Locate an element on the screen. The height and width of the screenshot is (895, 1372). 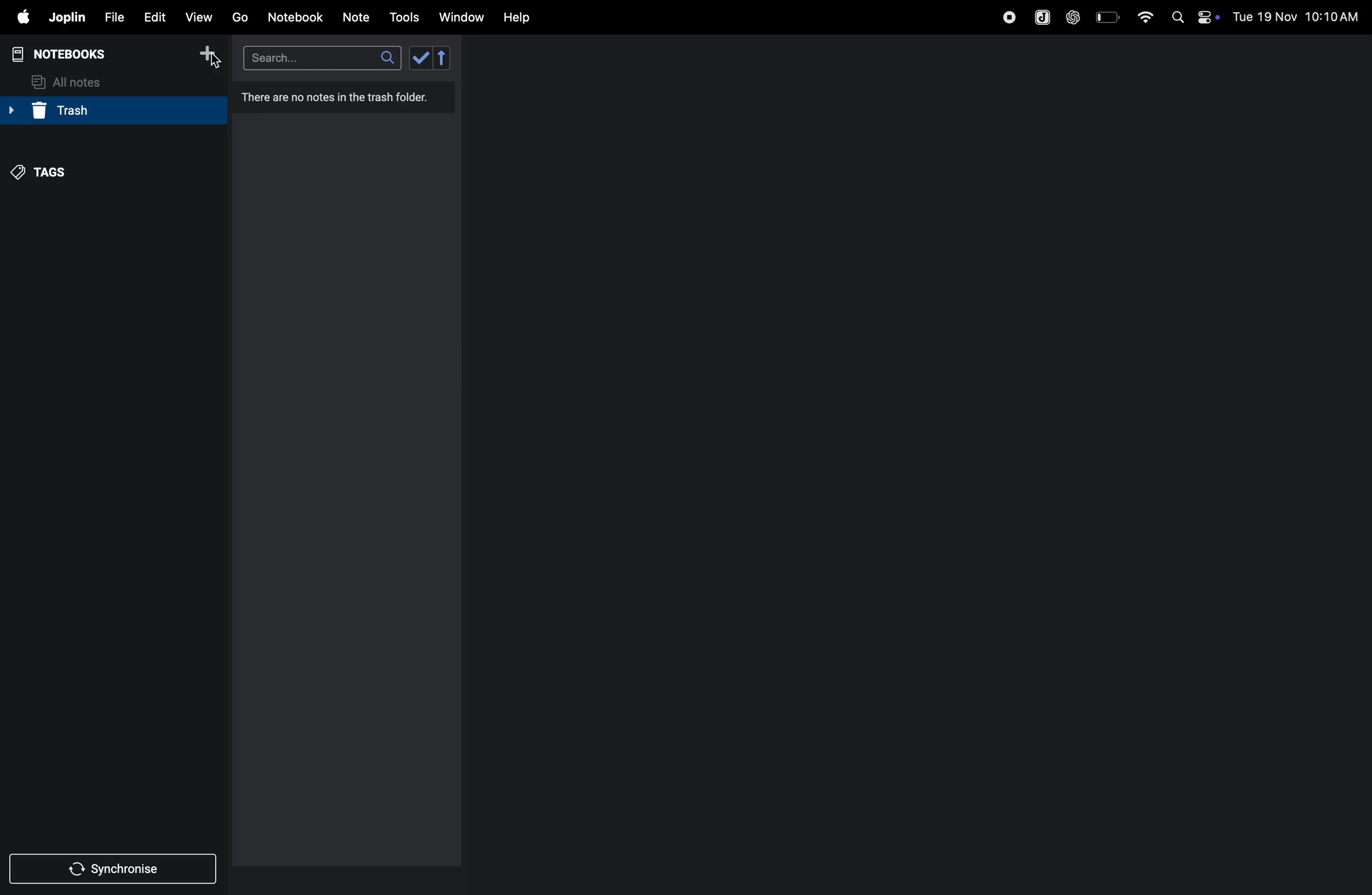
tags is located at coordinates (47, 172).